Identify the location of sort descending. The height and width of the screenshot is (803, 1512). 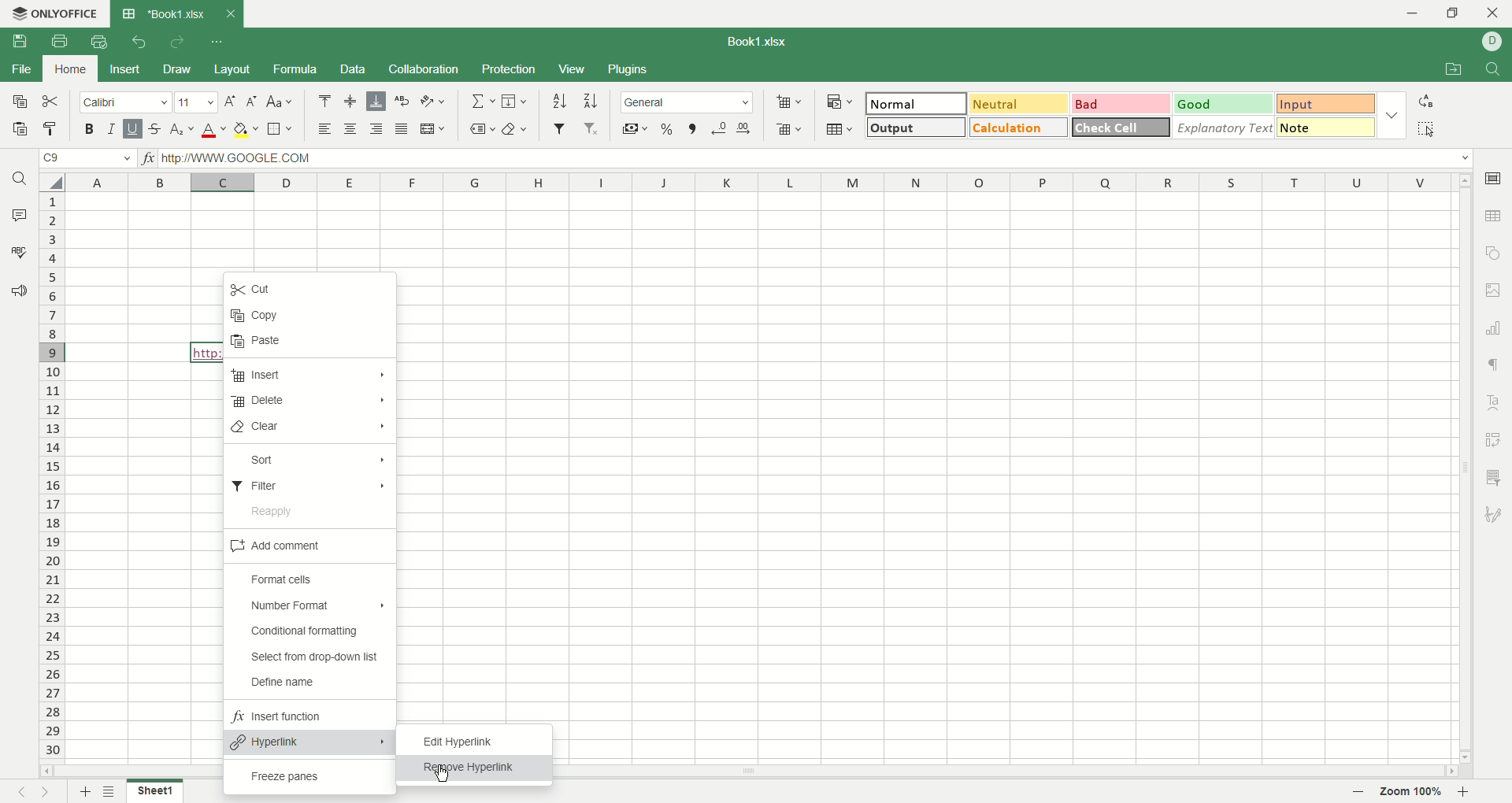
(589, 101).